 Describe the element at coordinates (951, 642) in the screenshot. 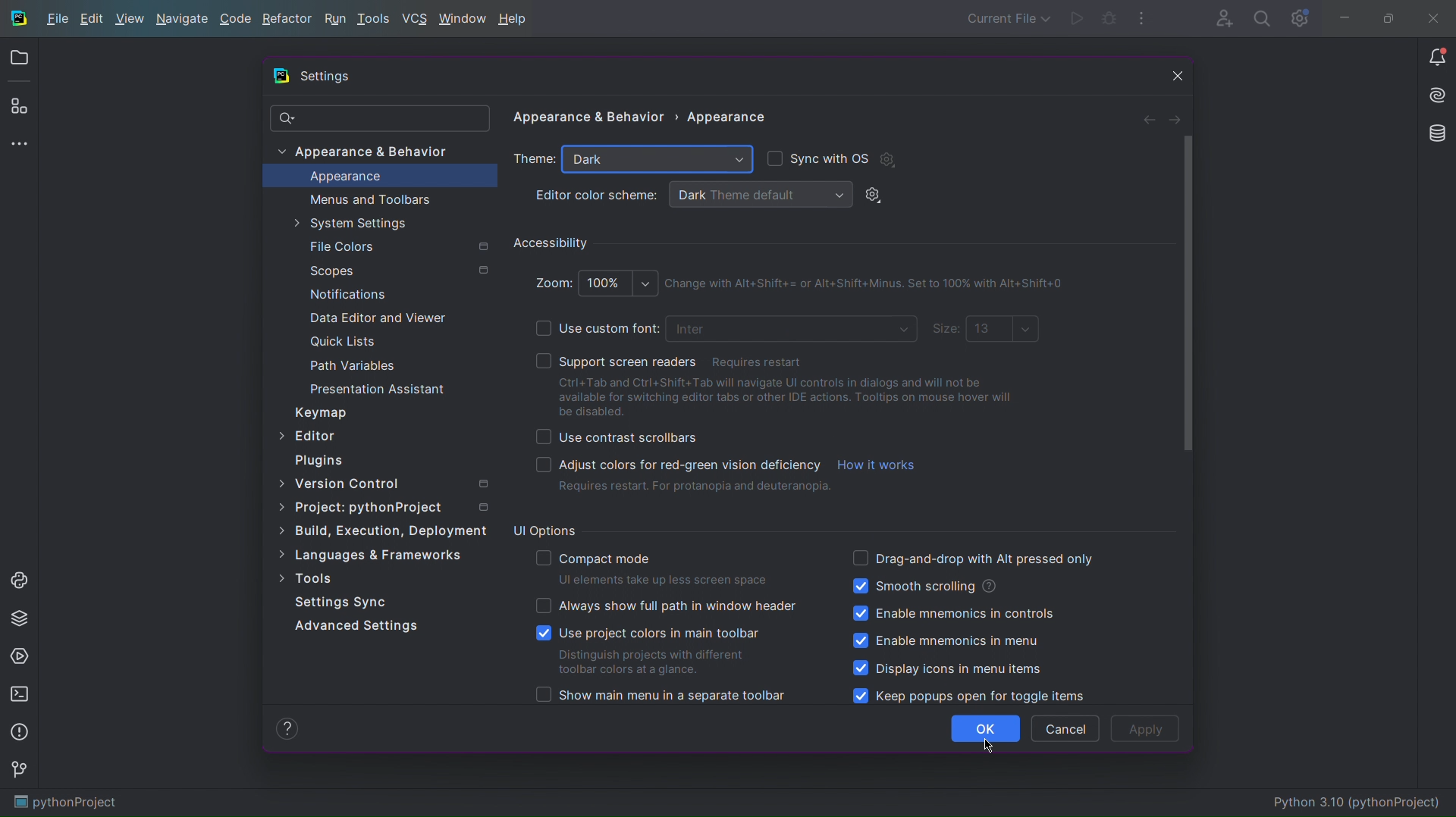

I see `Enable mnemonics in menu` at that location.